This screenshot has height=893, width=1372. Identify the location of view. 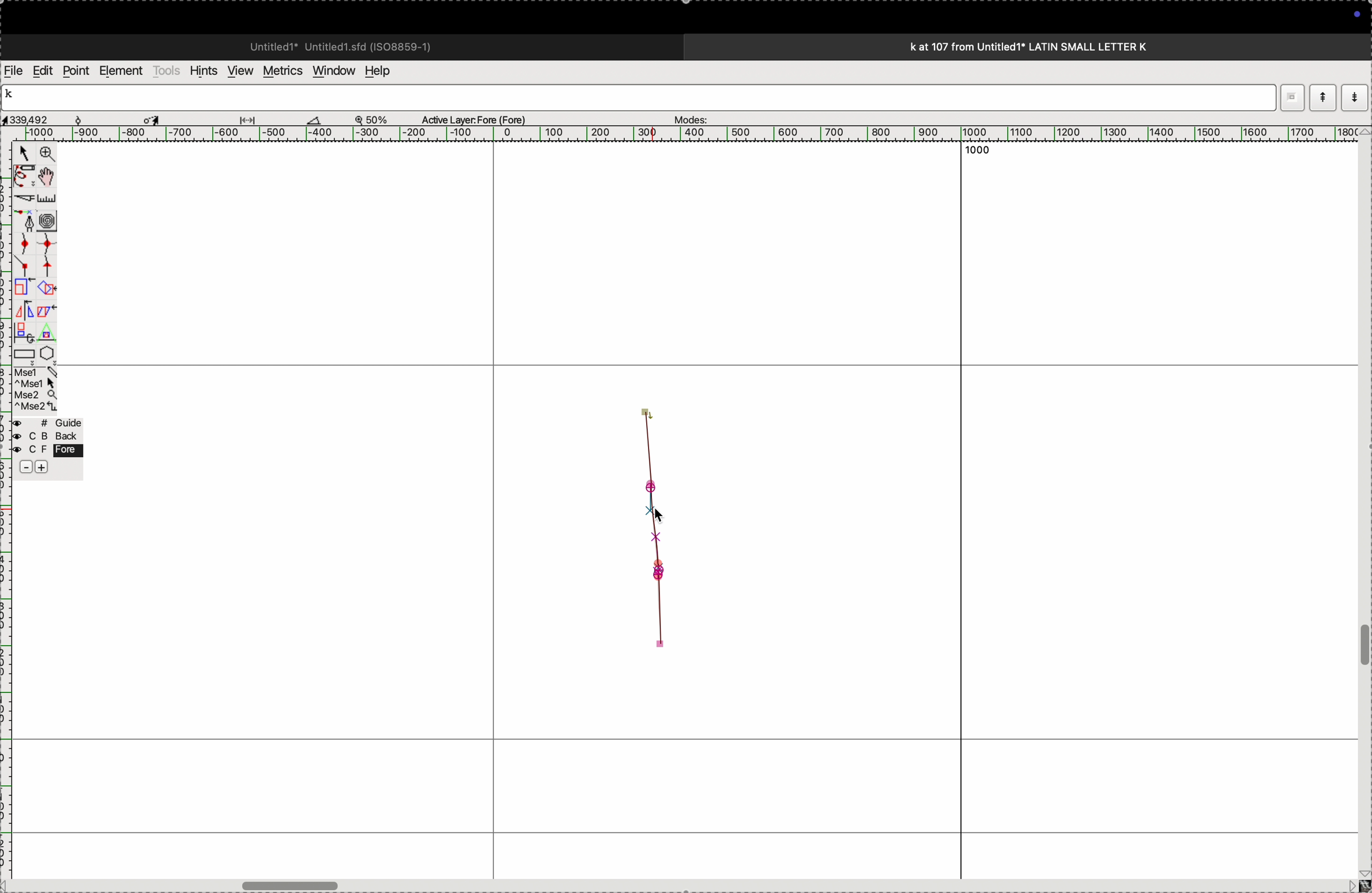
(237, 71).